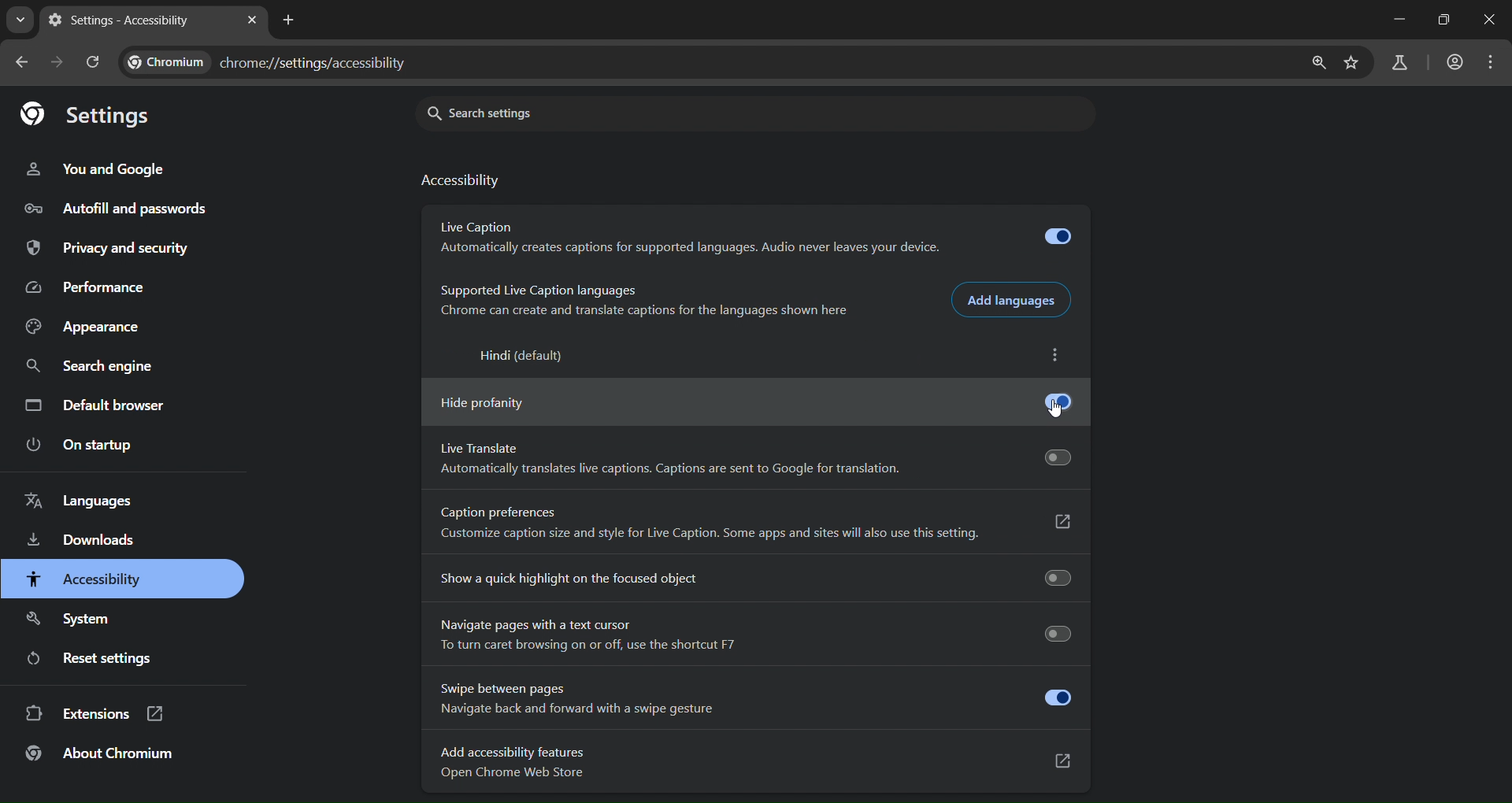 The width and height of the screenshot is (1512, 803). Describe the element at coordinates (1062, 357) in the screenshot. I see `more actions` at that location.